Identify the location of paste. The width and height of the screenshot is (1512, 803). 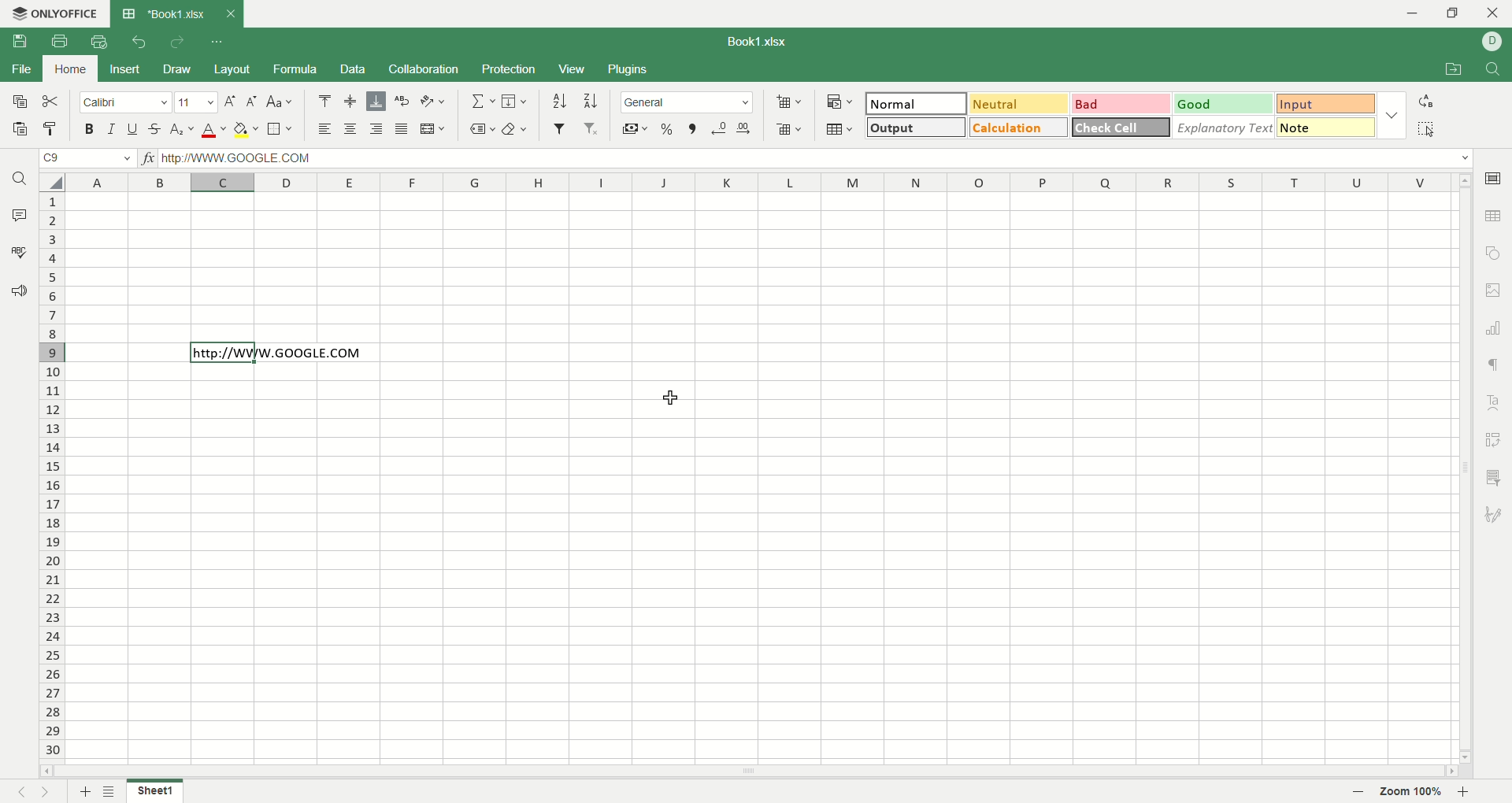
(18, 129).